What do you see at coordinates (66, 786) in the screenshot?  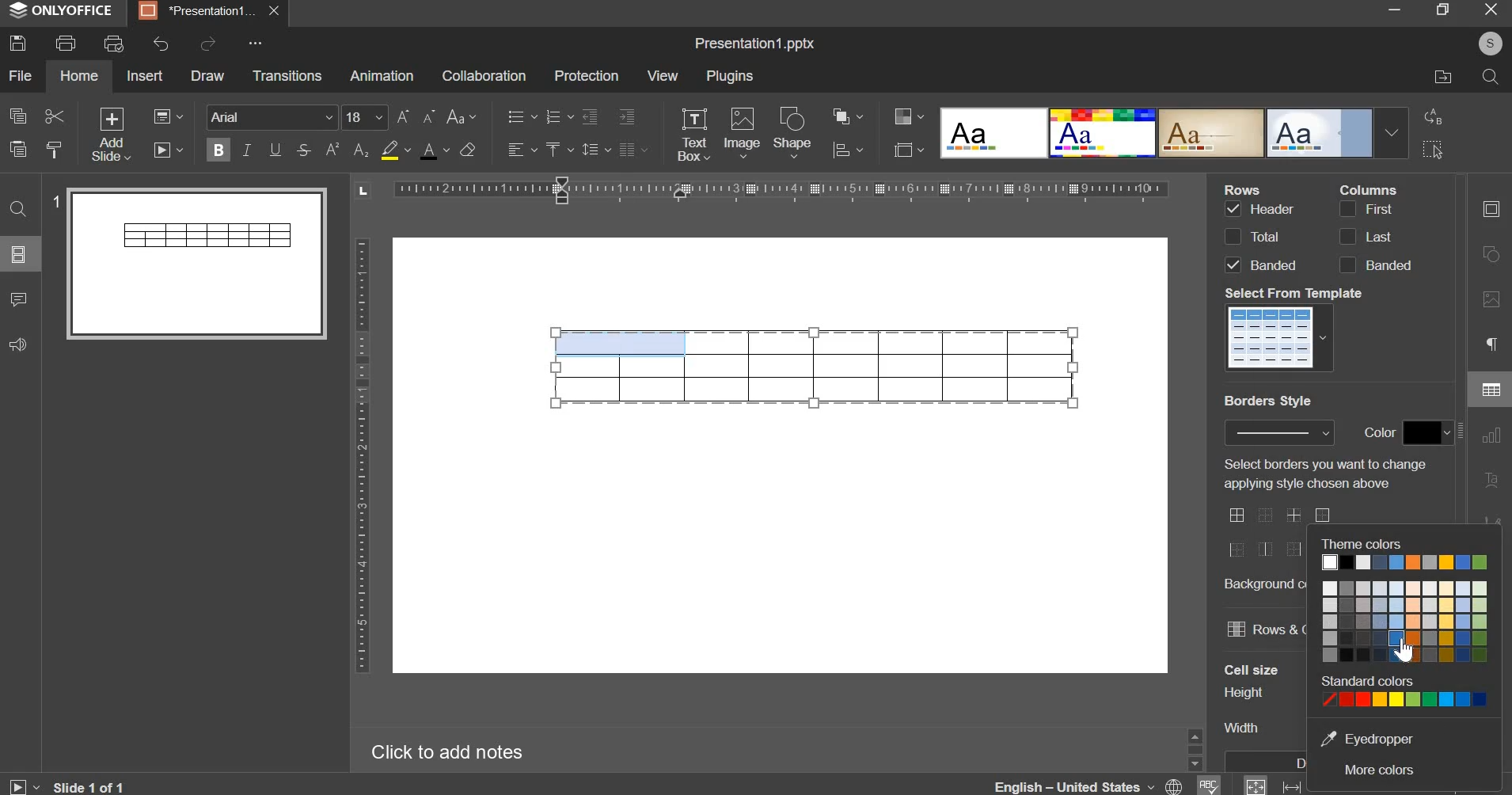 I see `Slide 1 of 1` at bounding box center [66, 786].